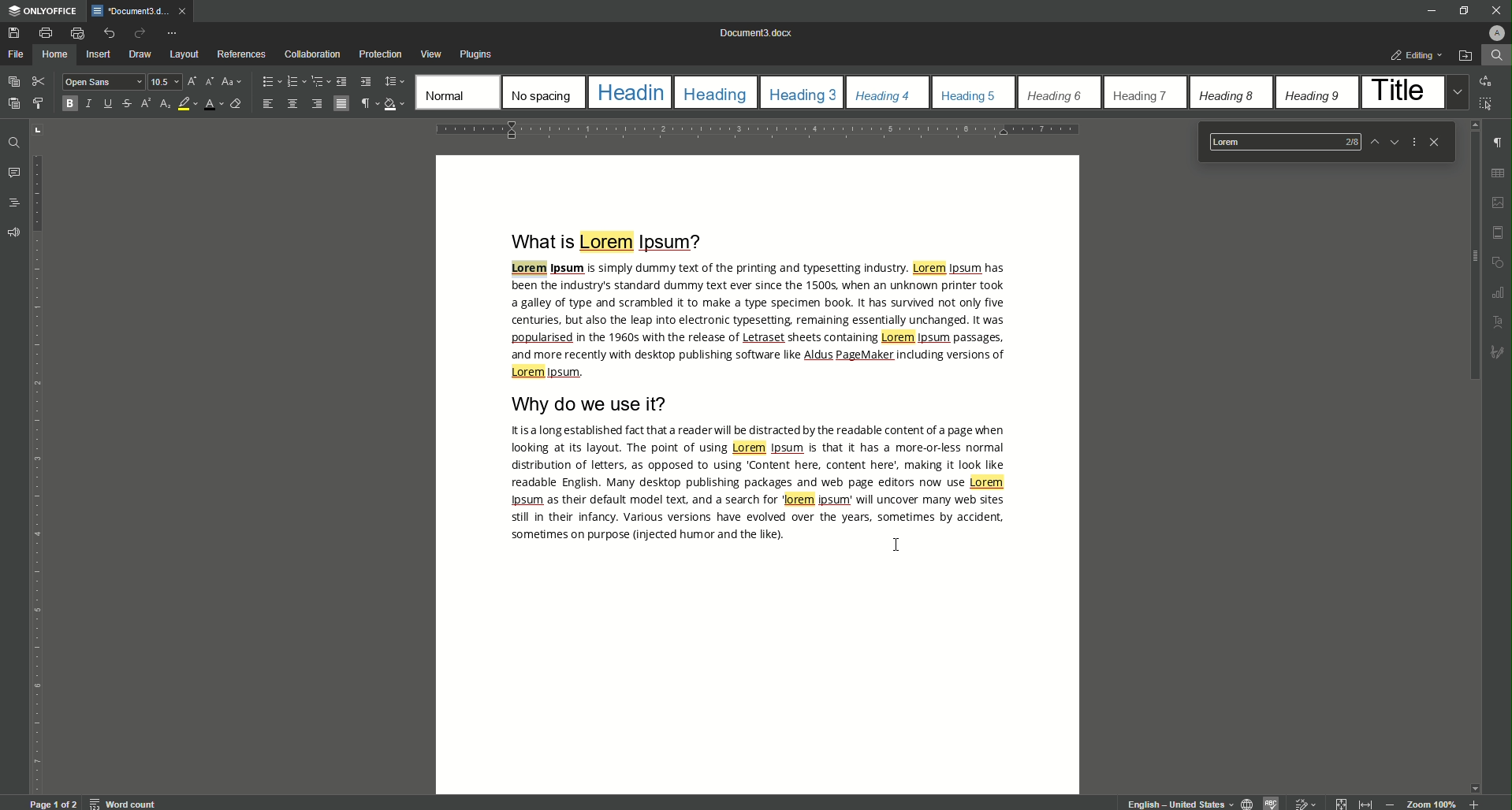 The height and width of the screenshot is (810, 1512). What do you see at coordinates (43, 128) in the screenshot?
I see `adjust` at bounding box center [43, 128].